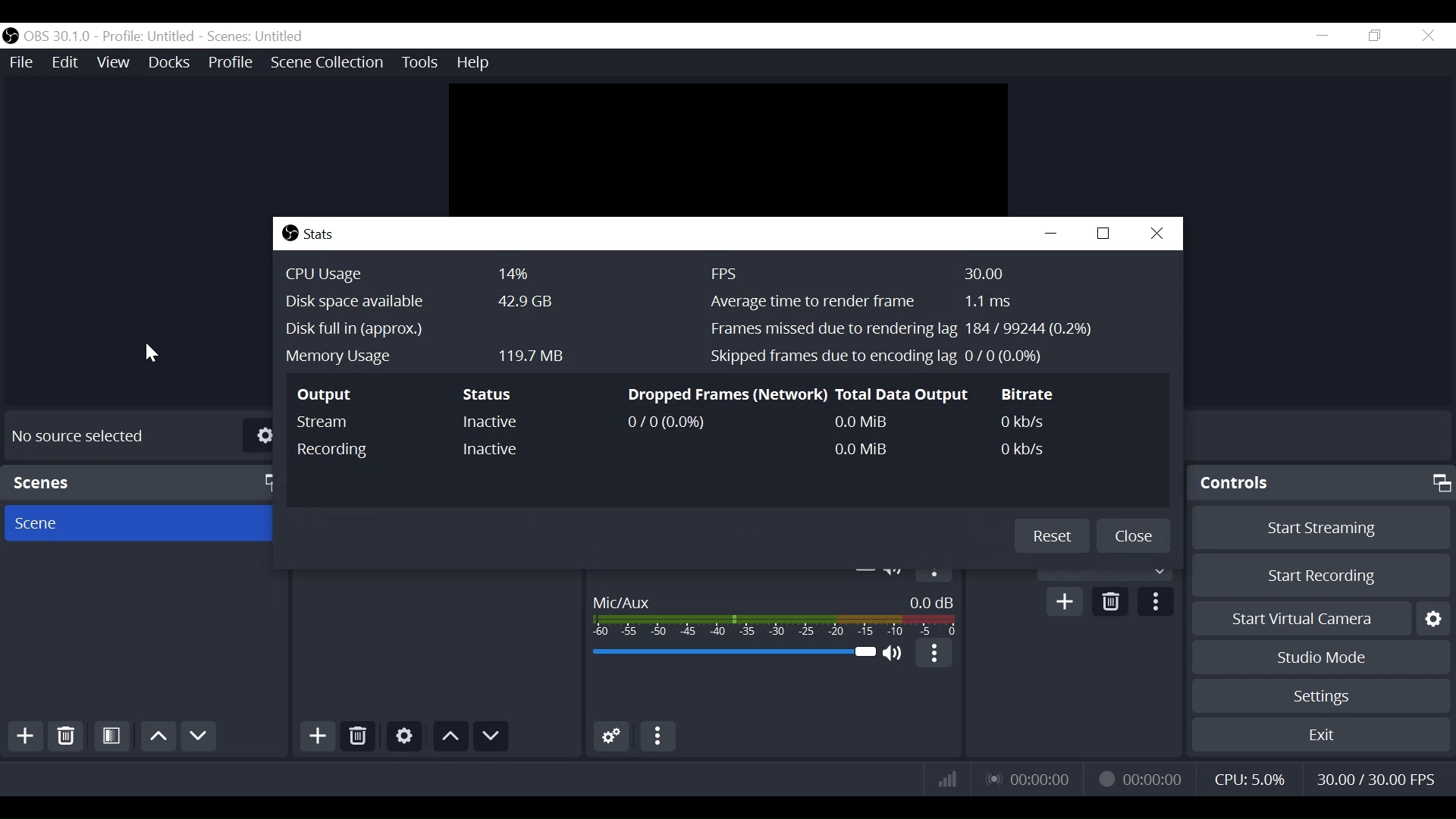  What do you see at coordinates (331, 450) in the screenshot?
I see `Recording ` at bounding box center [331, 450].